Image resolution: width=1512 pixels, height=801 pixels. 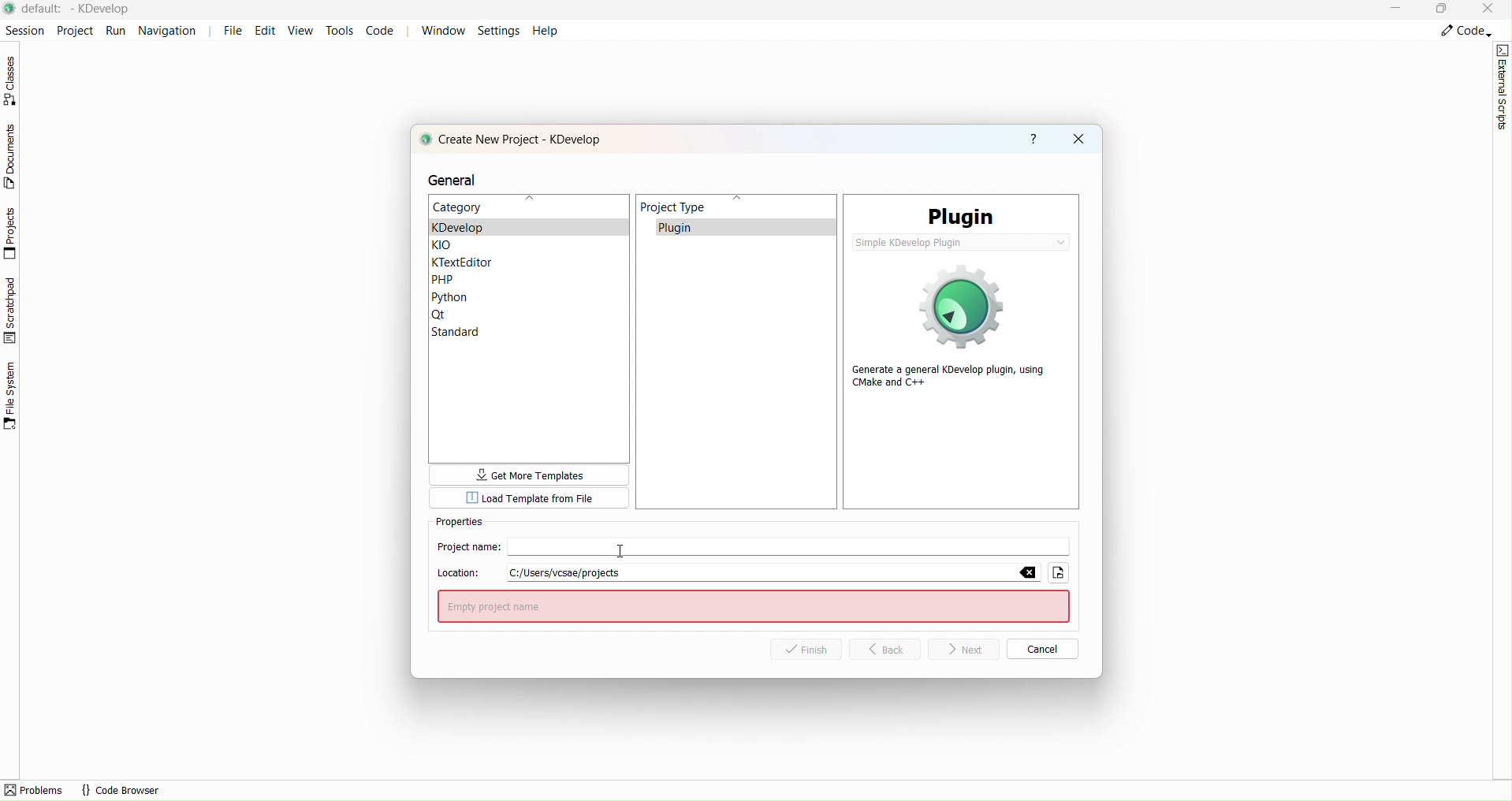 I want to click on Run, so click(x=117, y=30).